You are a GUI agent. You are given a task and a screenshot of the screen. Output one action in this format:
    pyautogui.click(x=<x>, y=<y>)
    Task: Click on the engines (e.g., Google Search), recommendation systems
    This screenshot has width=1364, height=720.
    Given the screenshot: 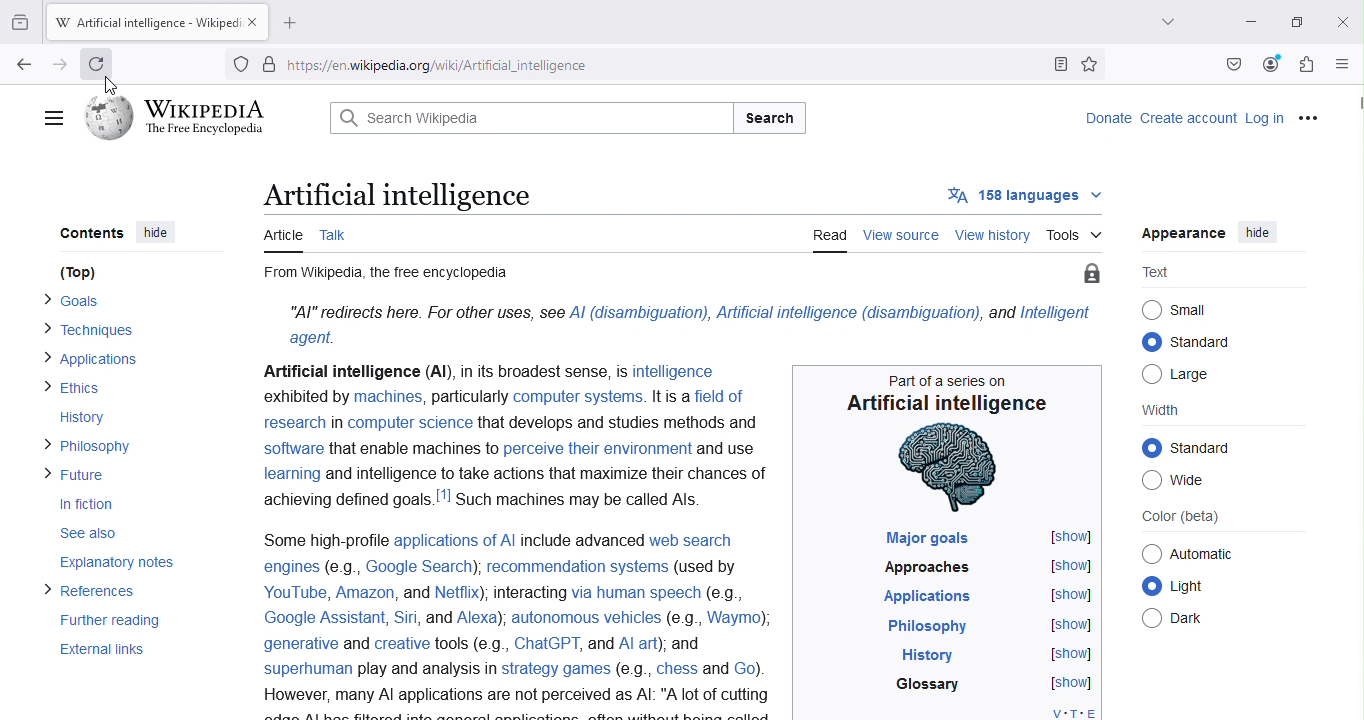 What is the action you would take?
    pyautogui.click(x=463, y=566)
    